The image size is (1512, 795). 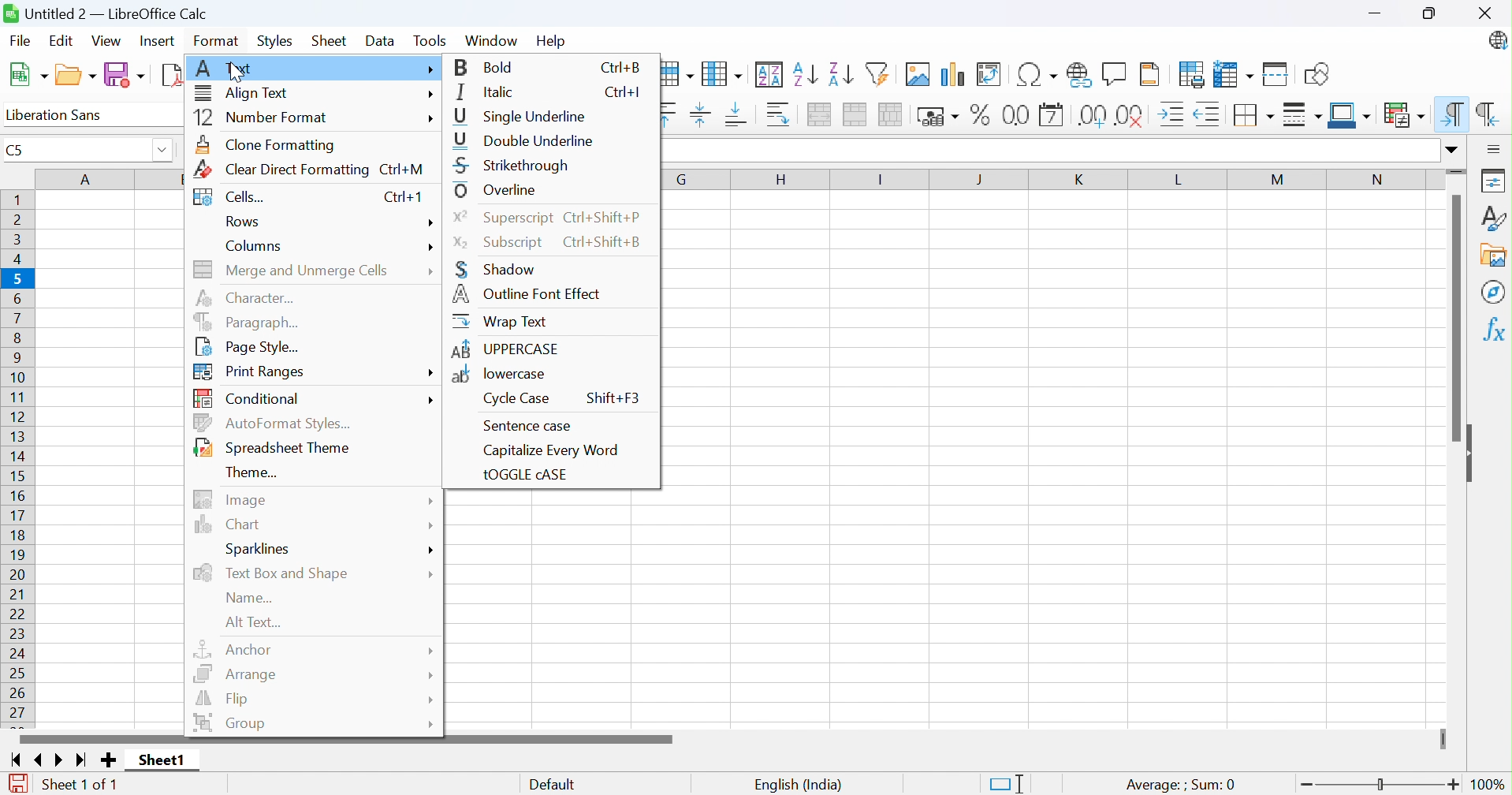 What do you see at coordinates (1484, 114) in the screenshot?
I see `Right-to-left` at bounding box center [1484, 114].